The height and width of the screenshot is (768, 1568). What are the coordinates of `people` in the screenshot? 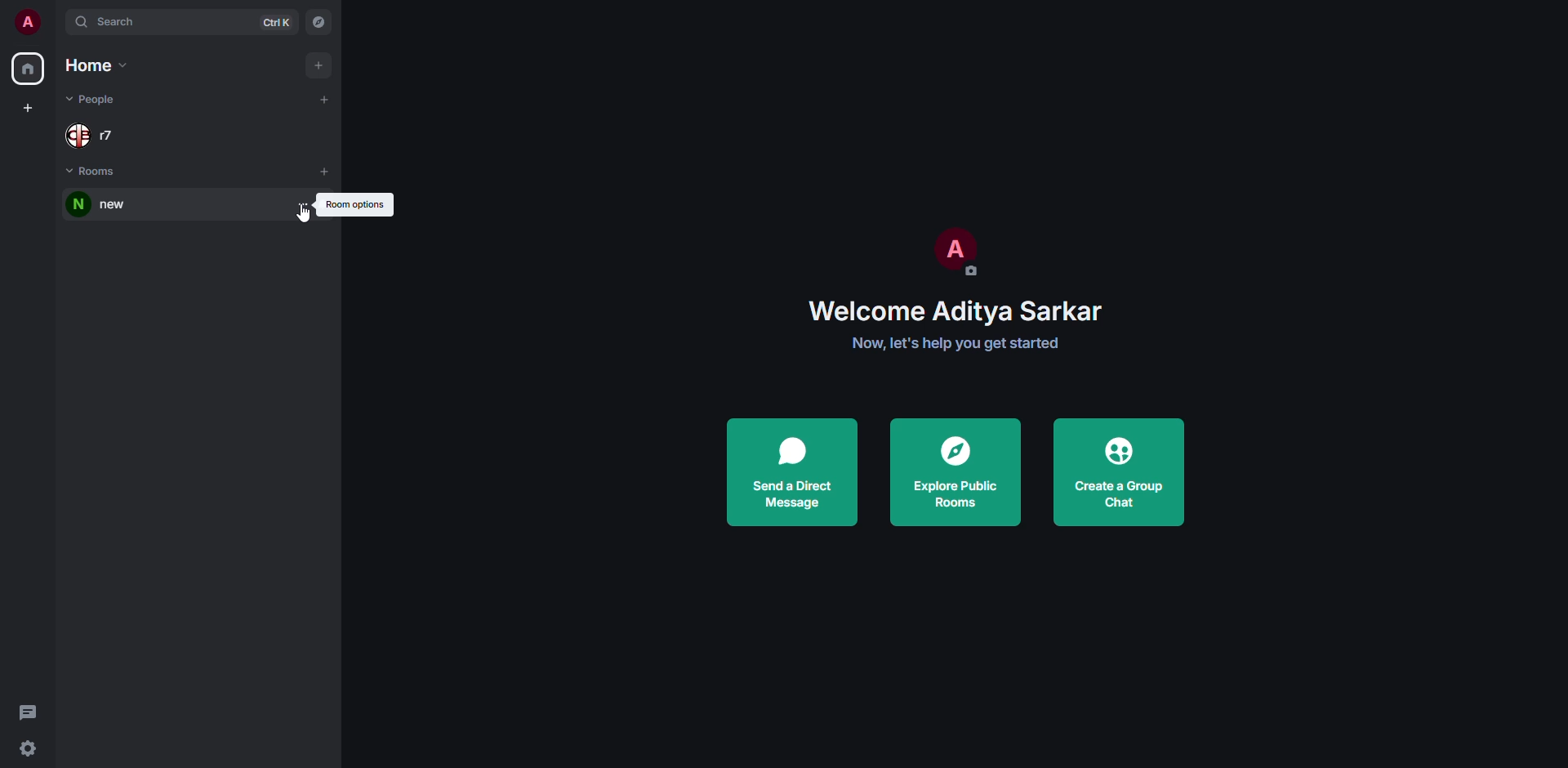 It's located at (100, 97).